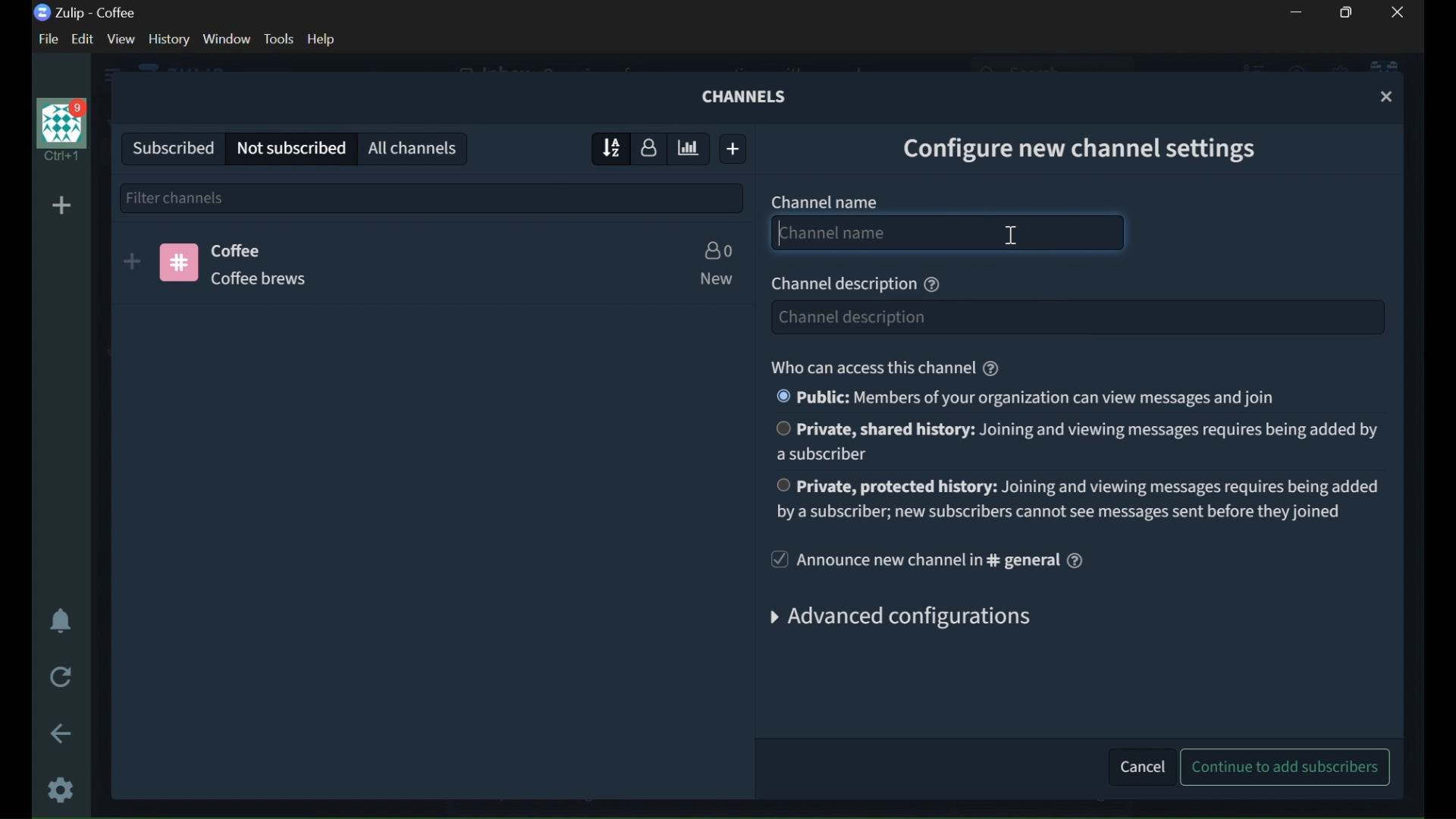  Describe the element at coordinates (415, 147) in the screenshot. I see `ALL CHANNELS` at that location.